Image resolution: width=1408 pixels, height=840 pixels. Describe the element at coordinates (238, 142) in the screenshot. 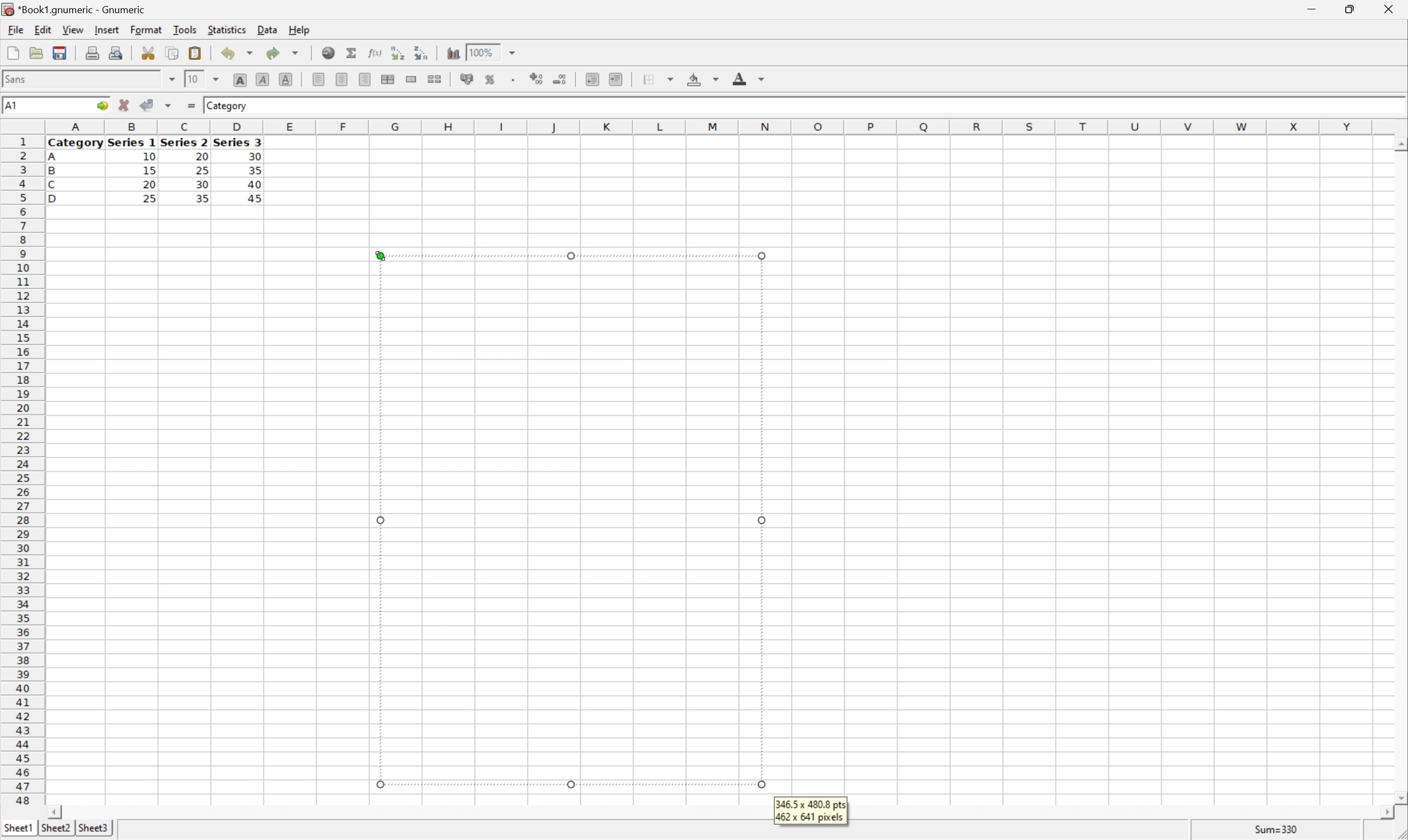

I see `Series 3` at that location.